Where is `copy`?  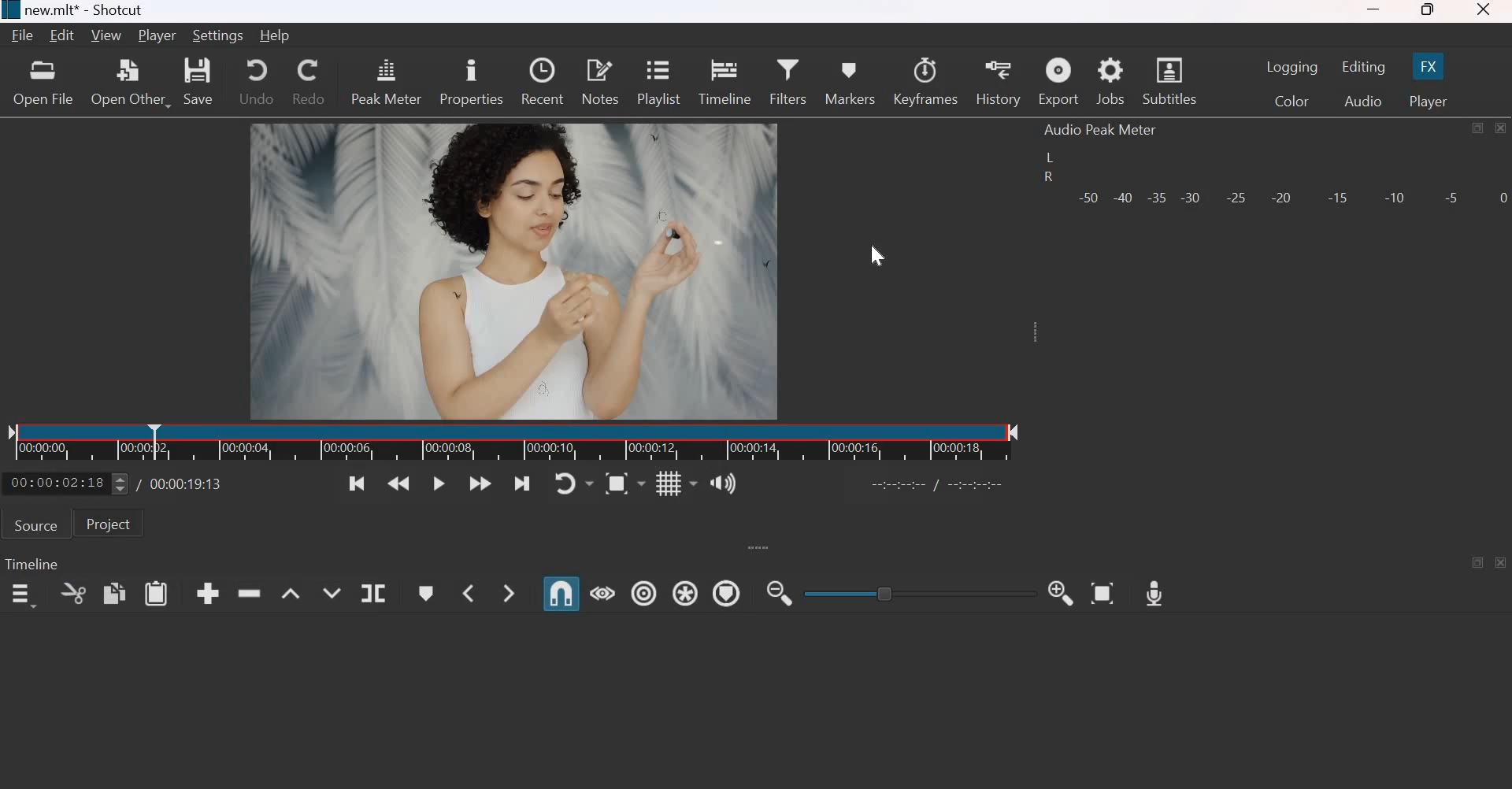 copy is located at coordinates (114, 593).